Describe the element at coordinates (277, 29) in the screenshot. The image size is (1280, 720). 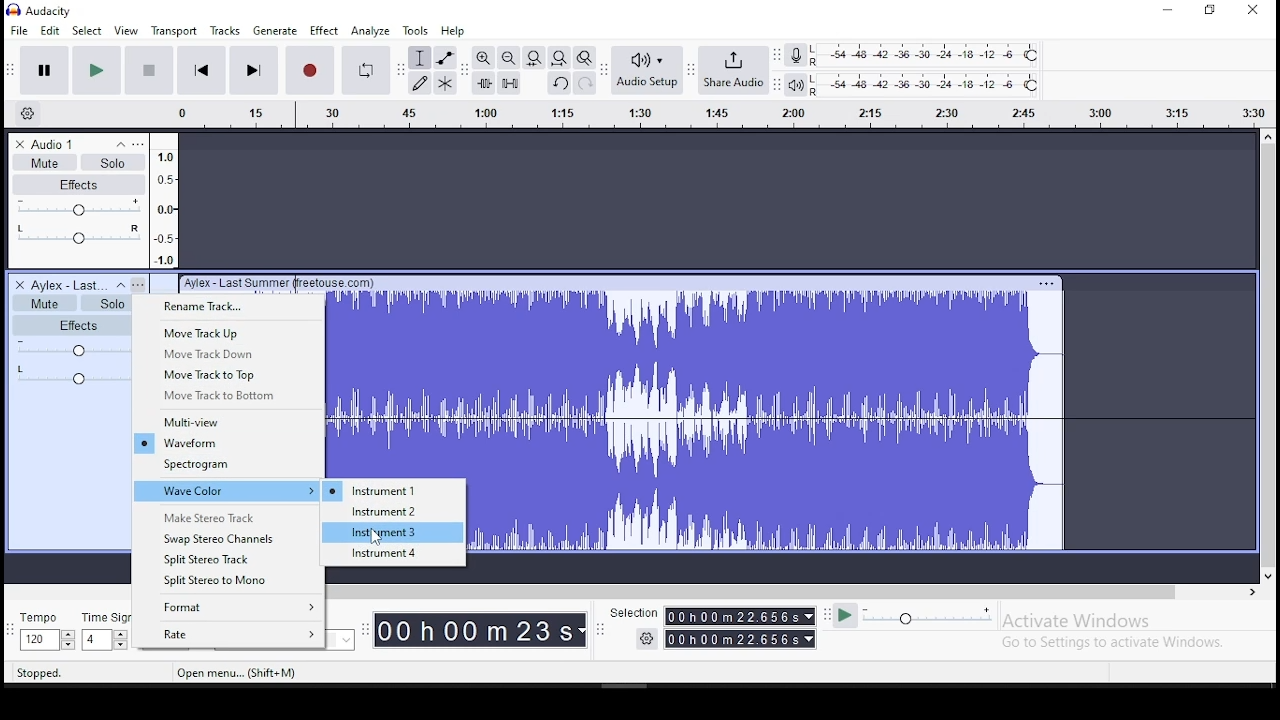
I see `generate` at that location.